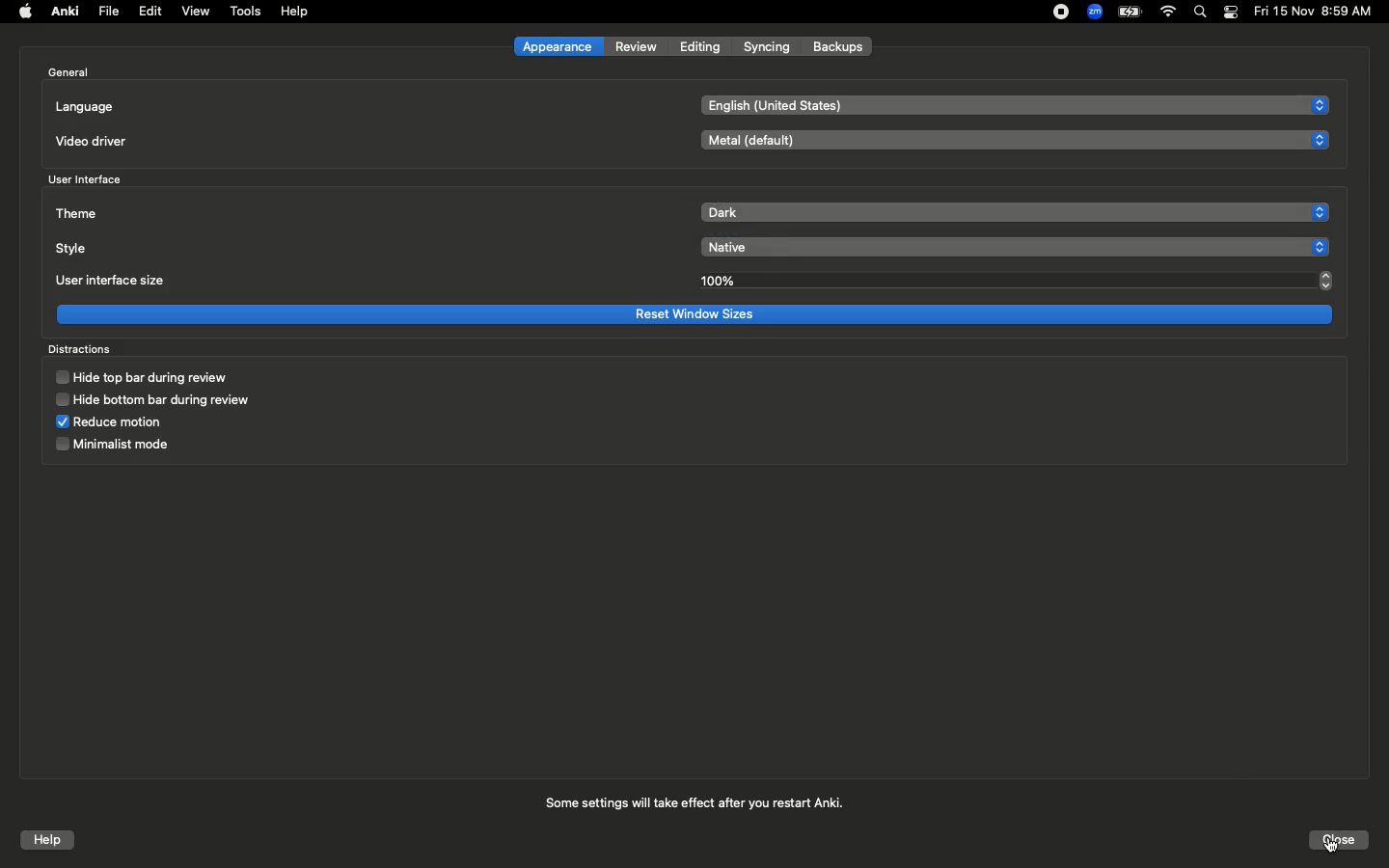  What do you see at coordinates (702, 48) in the screenshot?
I see `Editing` at bounding box center [702, 48].